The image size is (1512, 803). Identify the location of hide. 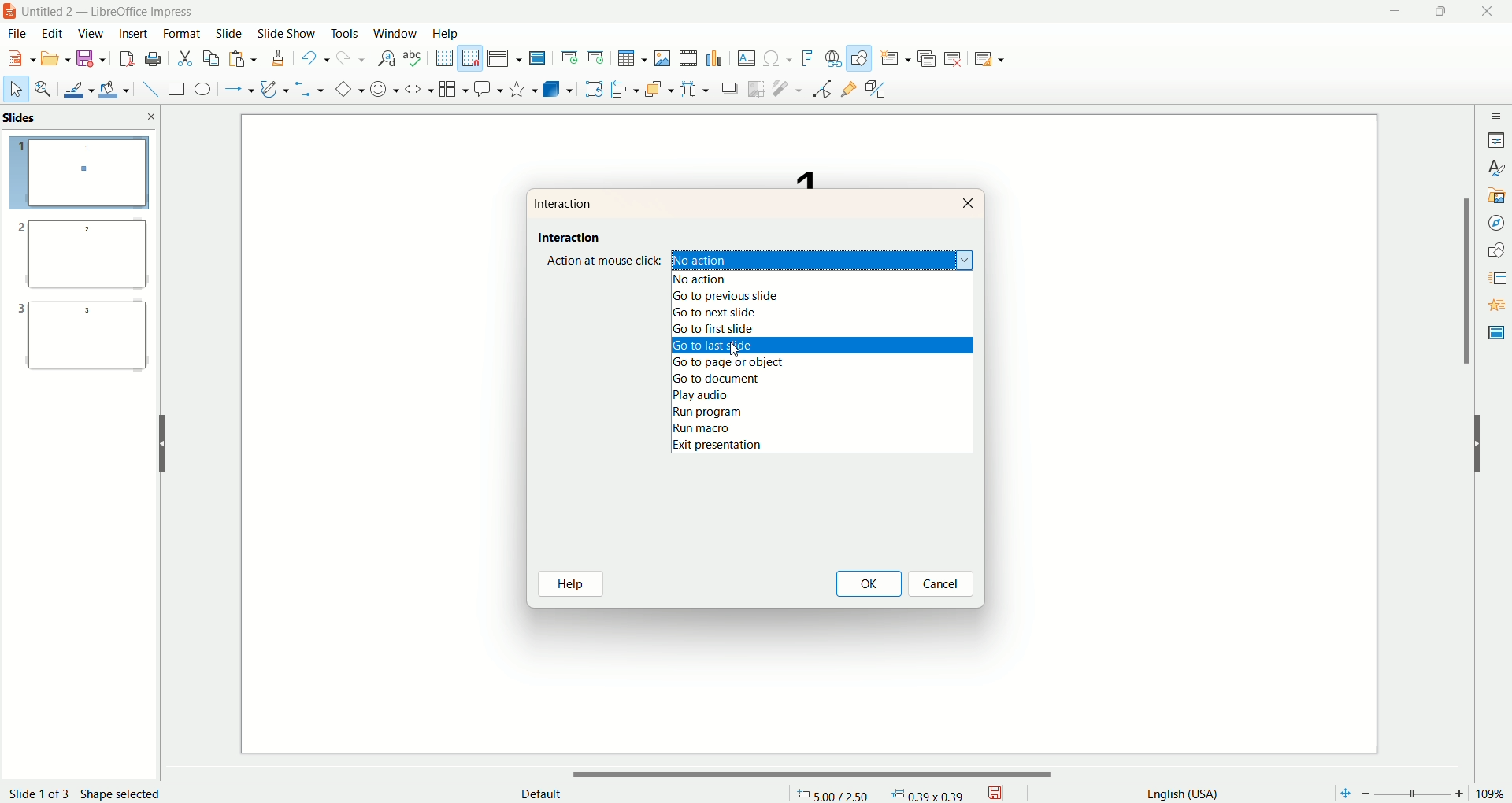
(161, 441).